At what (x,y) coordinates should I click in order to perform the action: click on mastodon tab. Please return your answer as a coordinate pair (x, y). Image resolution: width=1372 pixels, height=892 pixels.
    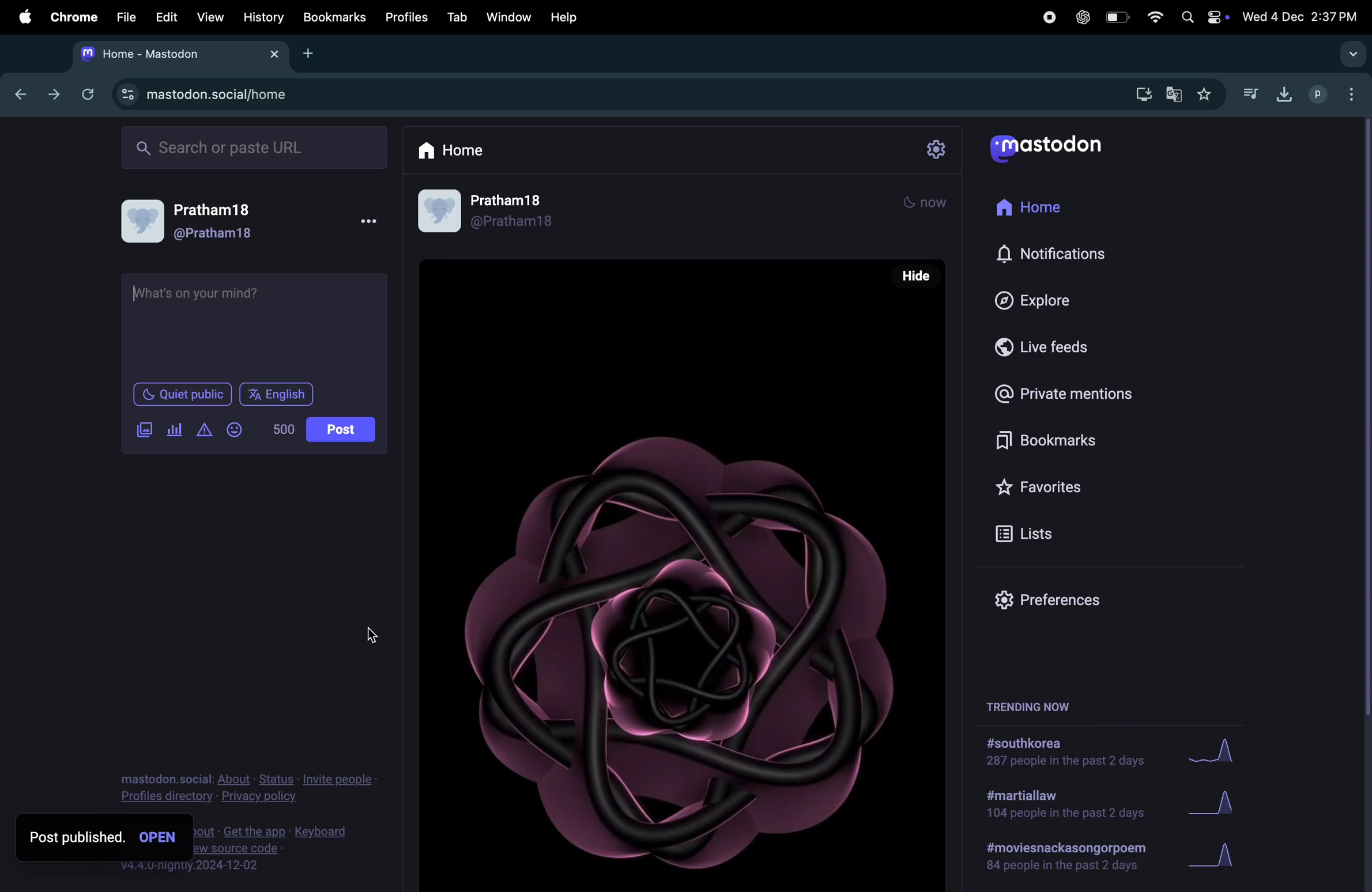
    Looking at the image, I should click on (175, 54).